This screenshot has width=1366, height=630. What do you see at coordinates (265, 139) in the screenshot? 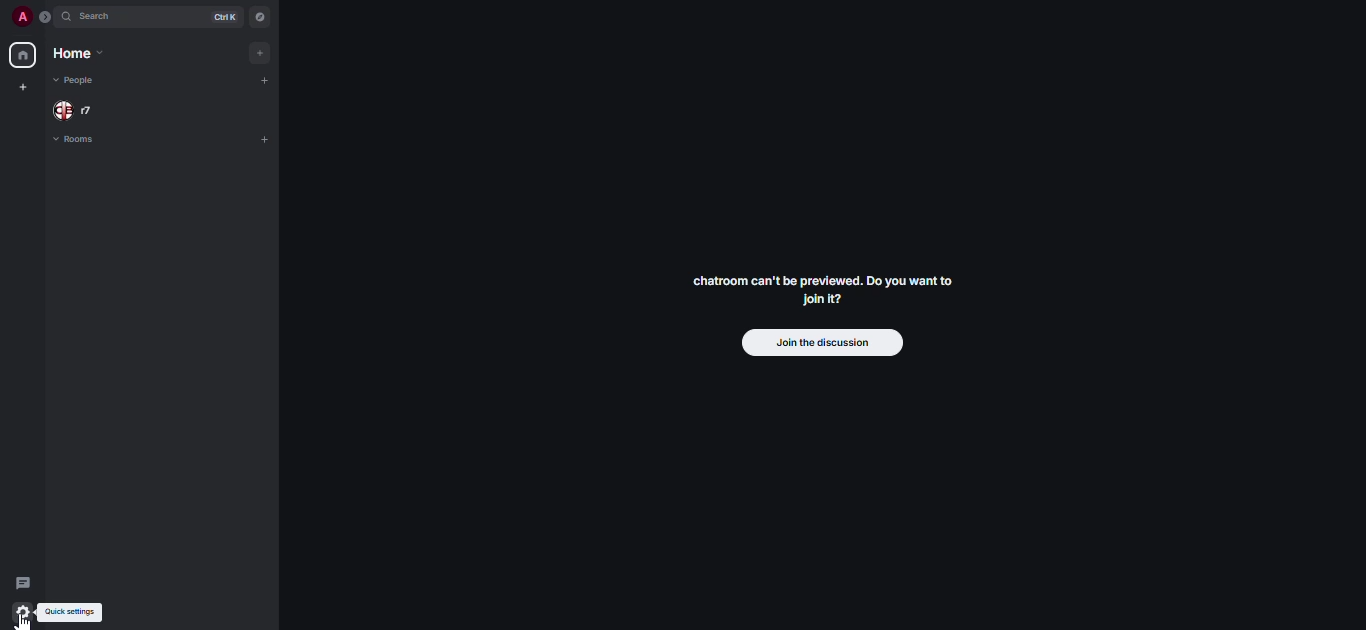
I see `add` at bounding box center [265, 139].